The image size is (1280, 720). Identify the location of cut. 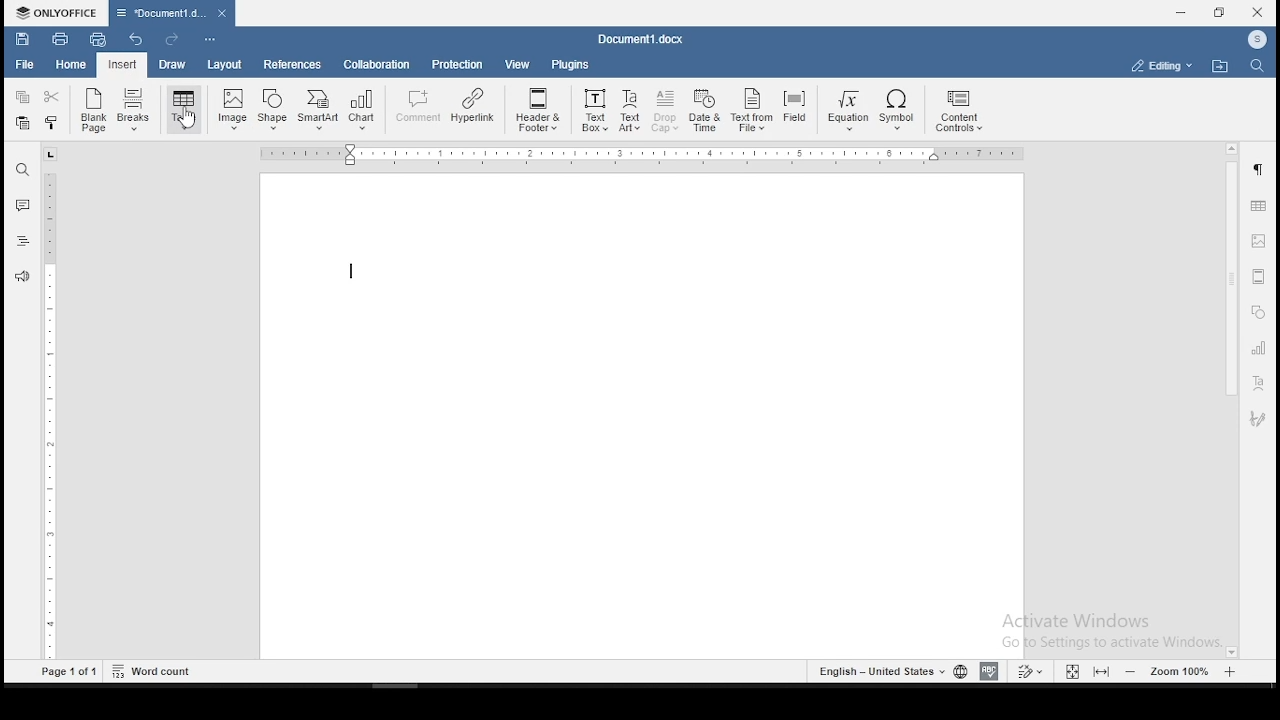
(56, 96).